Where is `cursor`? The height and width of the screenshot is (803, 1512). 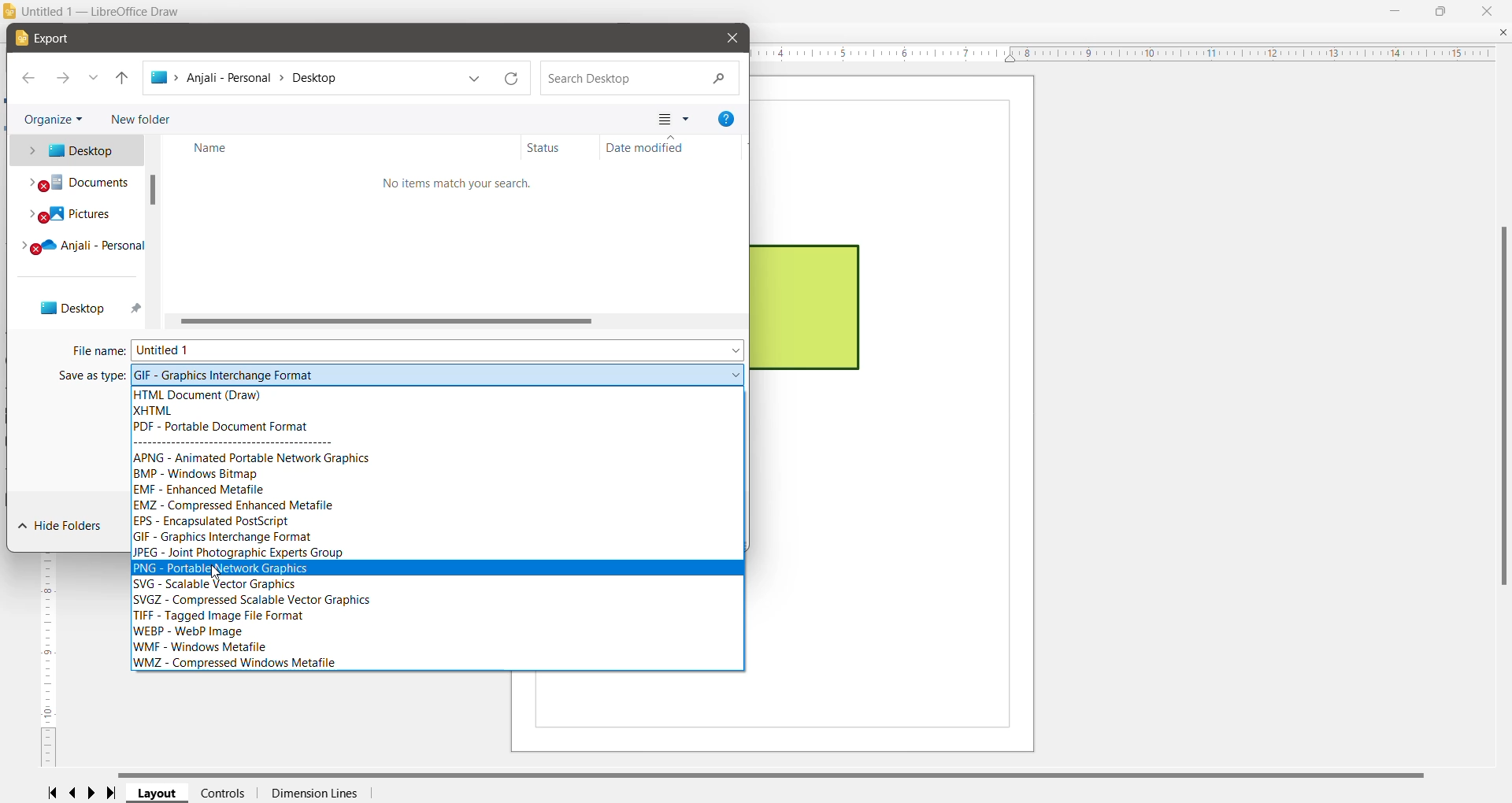
cursor is located at coordinates (219, 574).